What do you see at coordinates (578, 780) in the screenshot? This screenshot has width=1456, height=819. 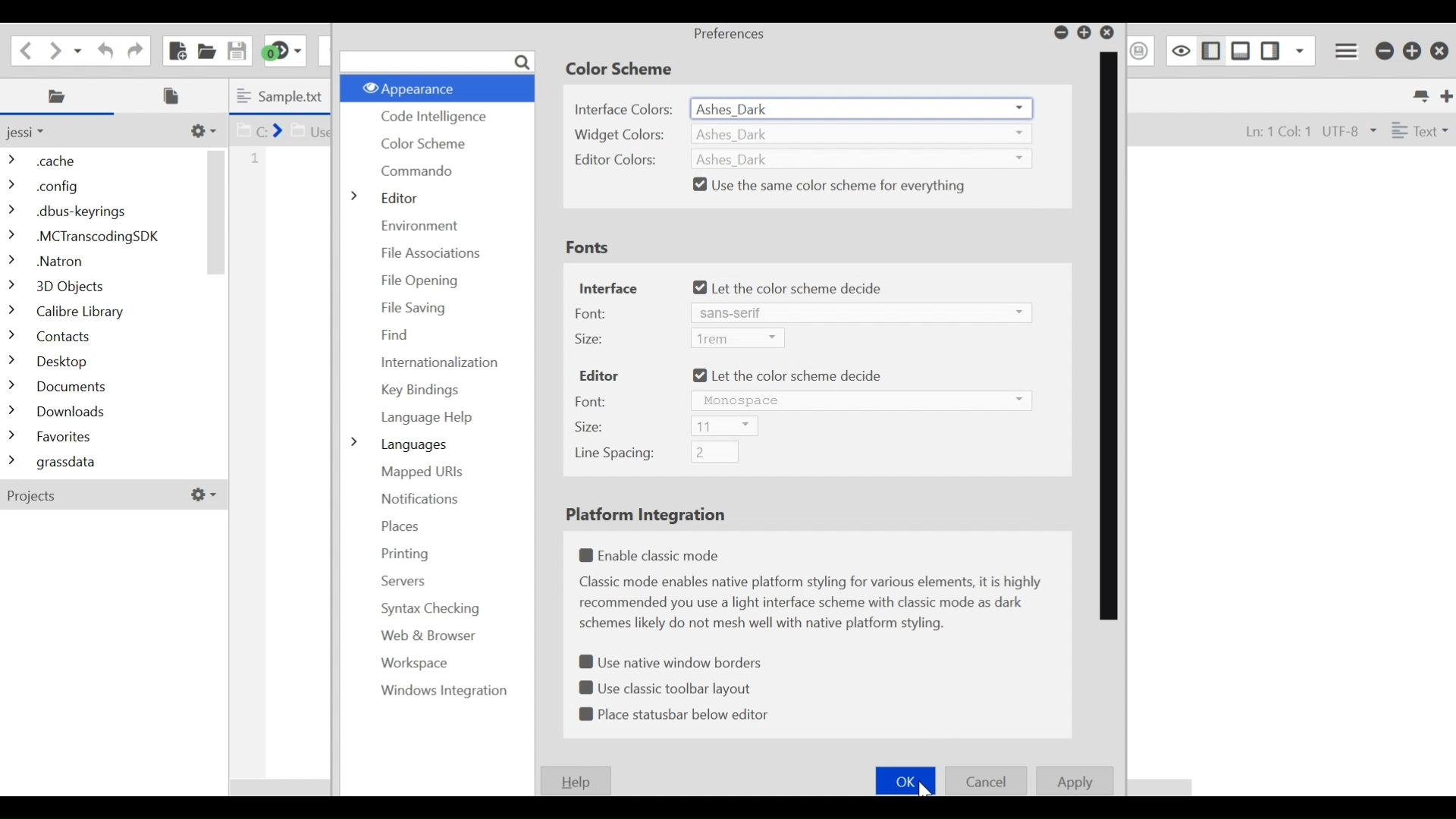 I see `Help` at bounding box center [578, 780].